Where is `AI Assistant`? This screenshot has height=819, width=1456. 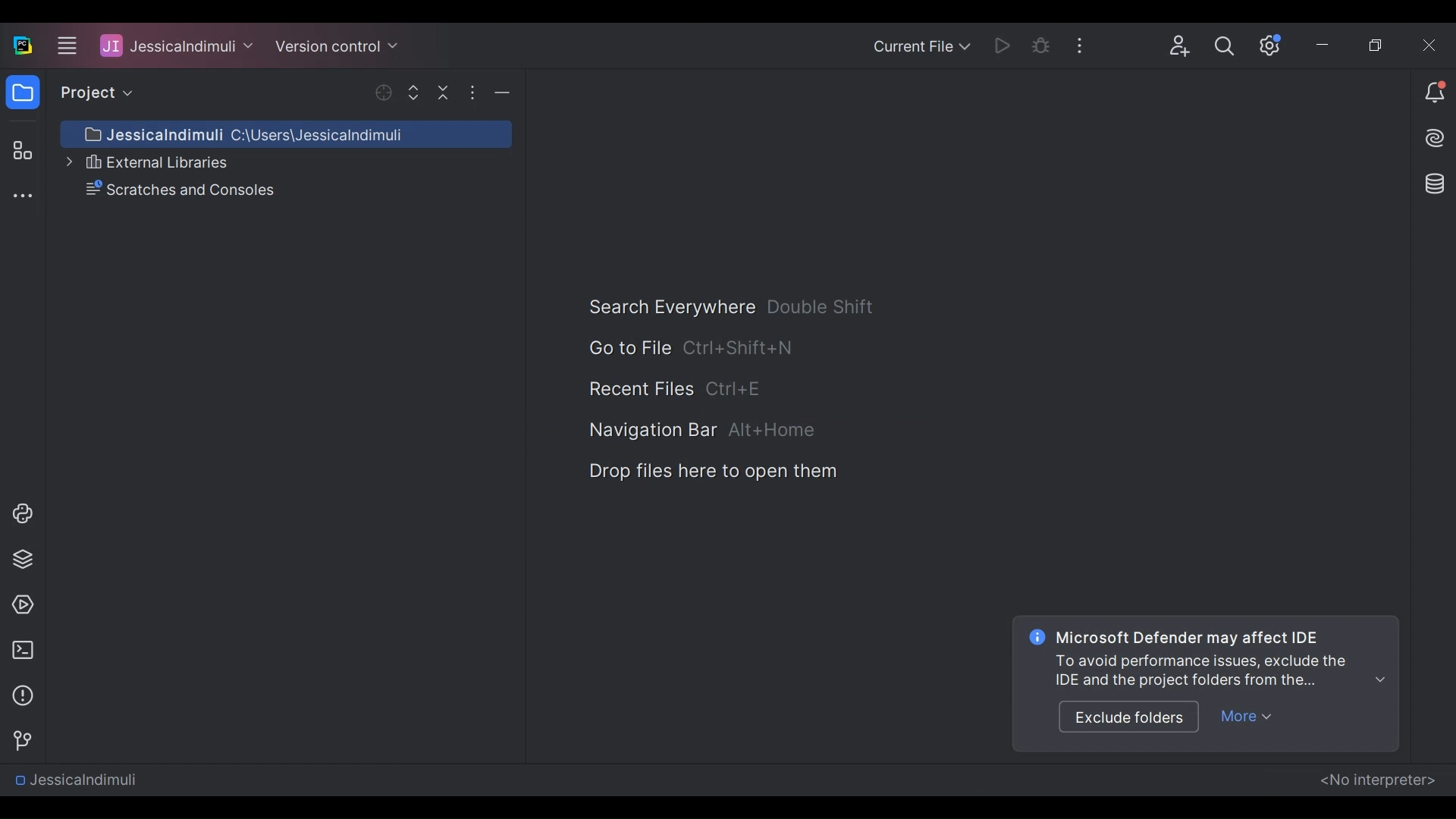
AI Assistant is located at coordinates (1433, 138).